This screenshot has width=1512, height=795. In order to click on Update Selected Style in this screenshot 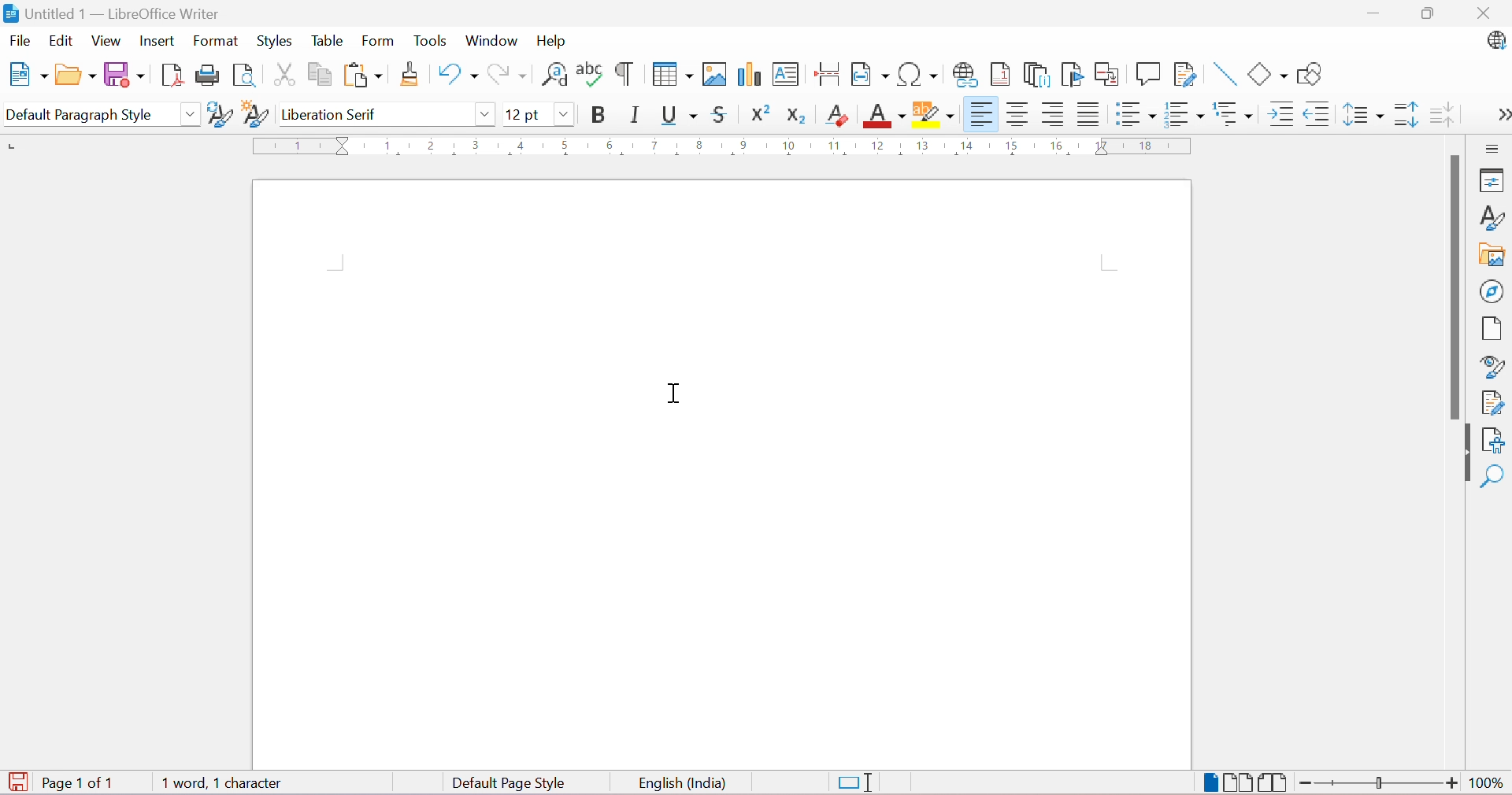, I will do `click(217, 116)`.